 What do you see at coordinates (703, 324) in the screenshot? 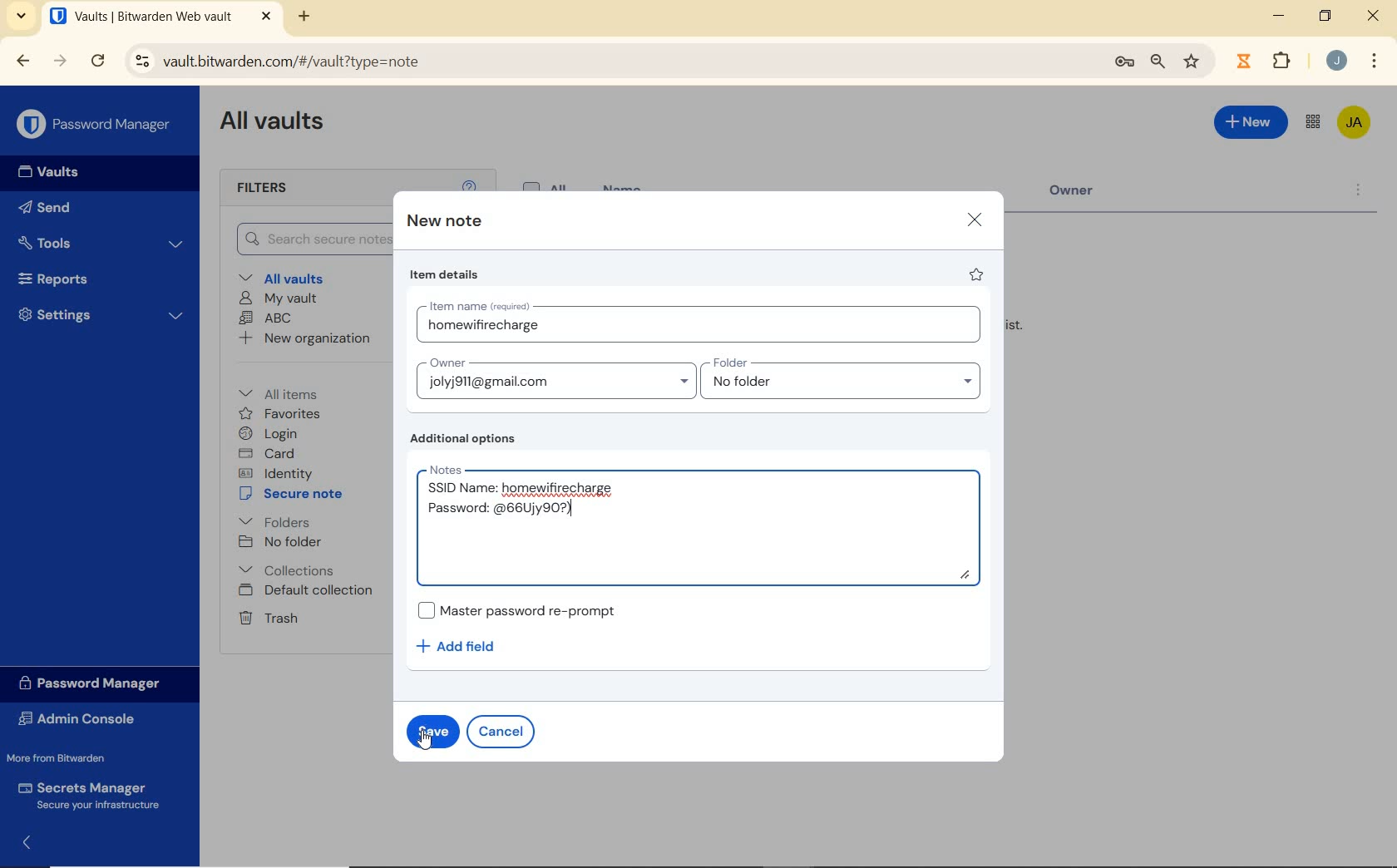
I see `item name` at bounding box center [703, 324].